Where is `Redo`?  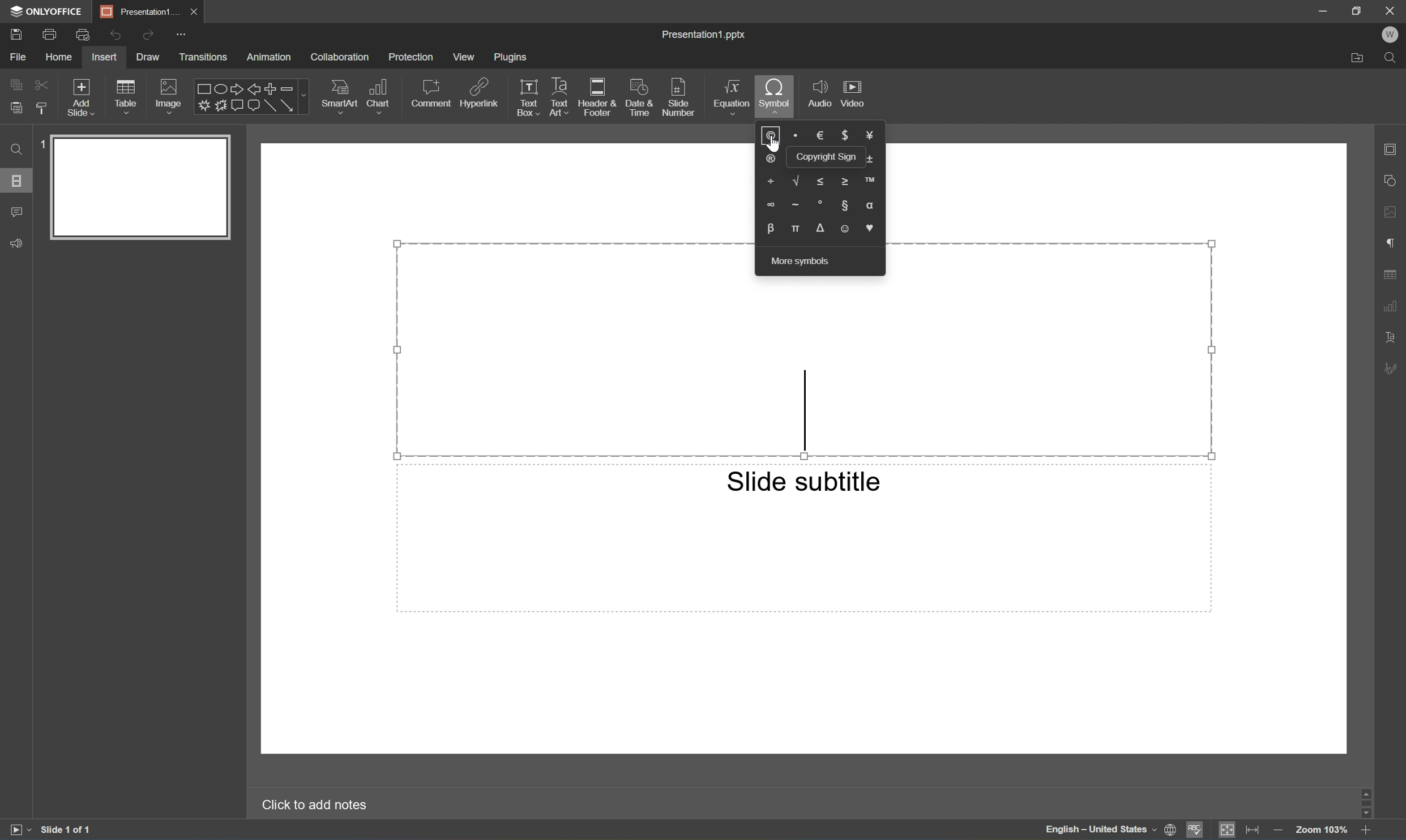 Redo is located at coordinates (146, 36).